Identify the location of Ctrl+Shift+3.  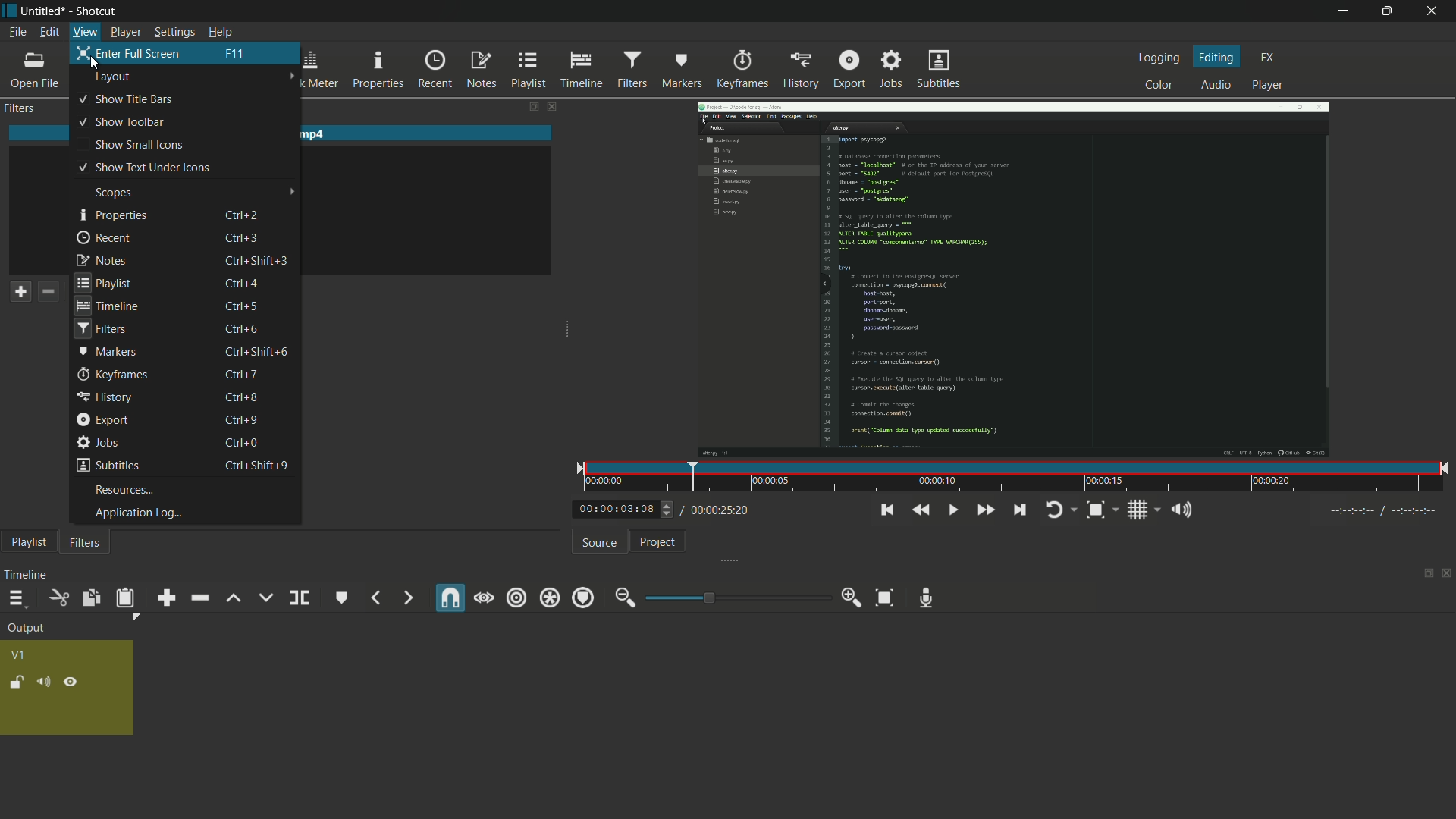
(254, 259).